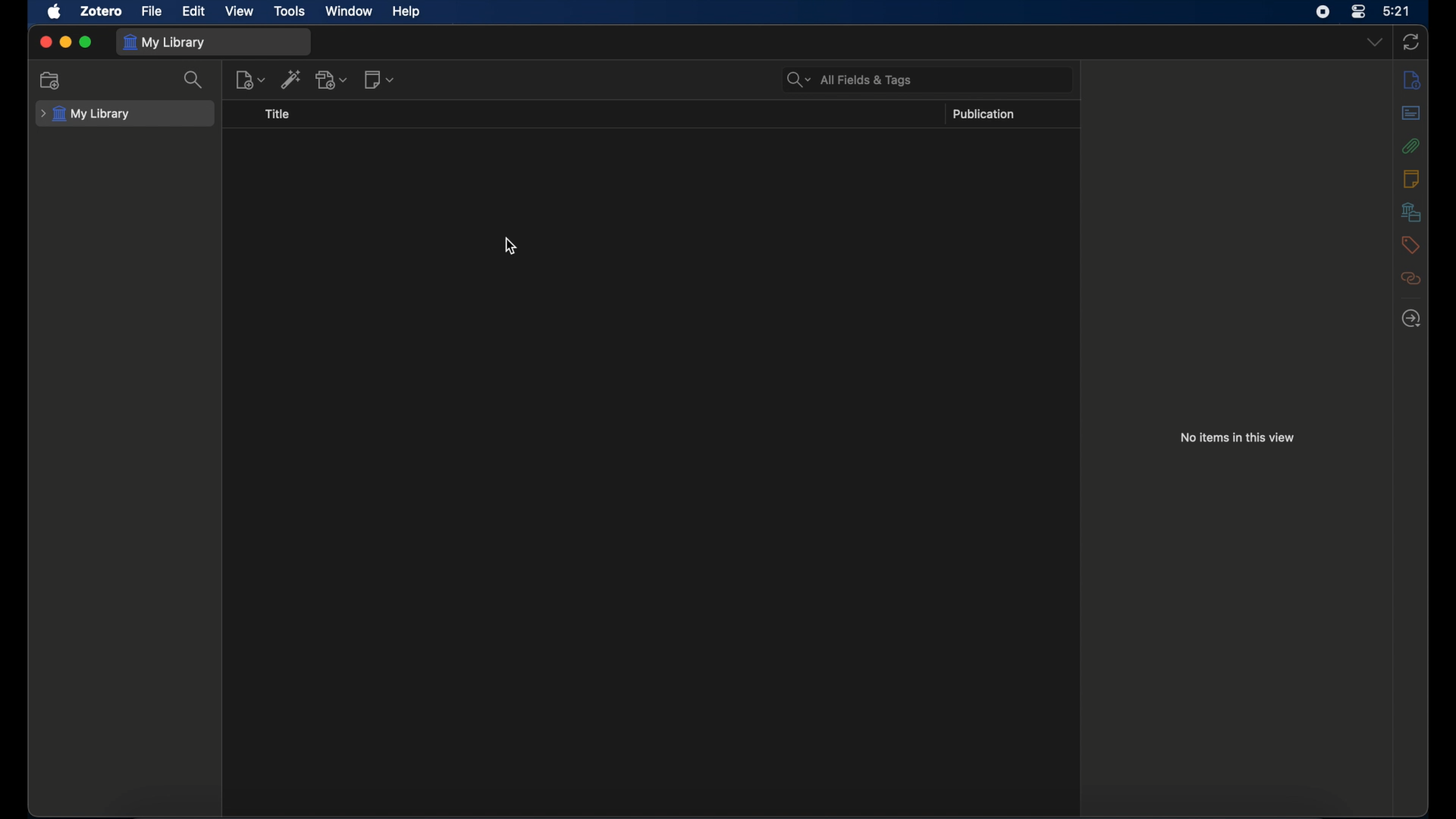 The width and height of the screenshot is (1456, 819). What do you see at coordinates (1411, 178) in the screenshot?
I see `notes` at bounding box center [1411, 178].